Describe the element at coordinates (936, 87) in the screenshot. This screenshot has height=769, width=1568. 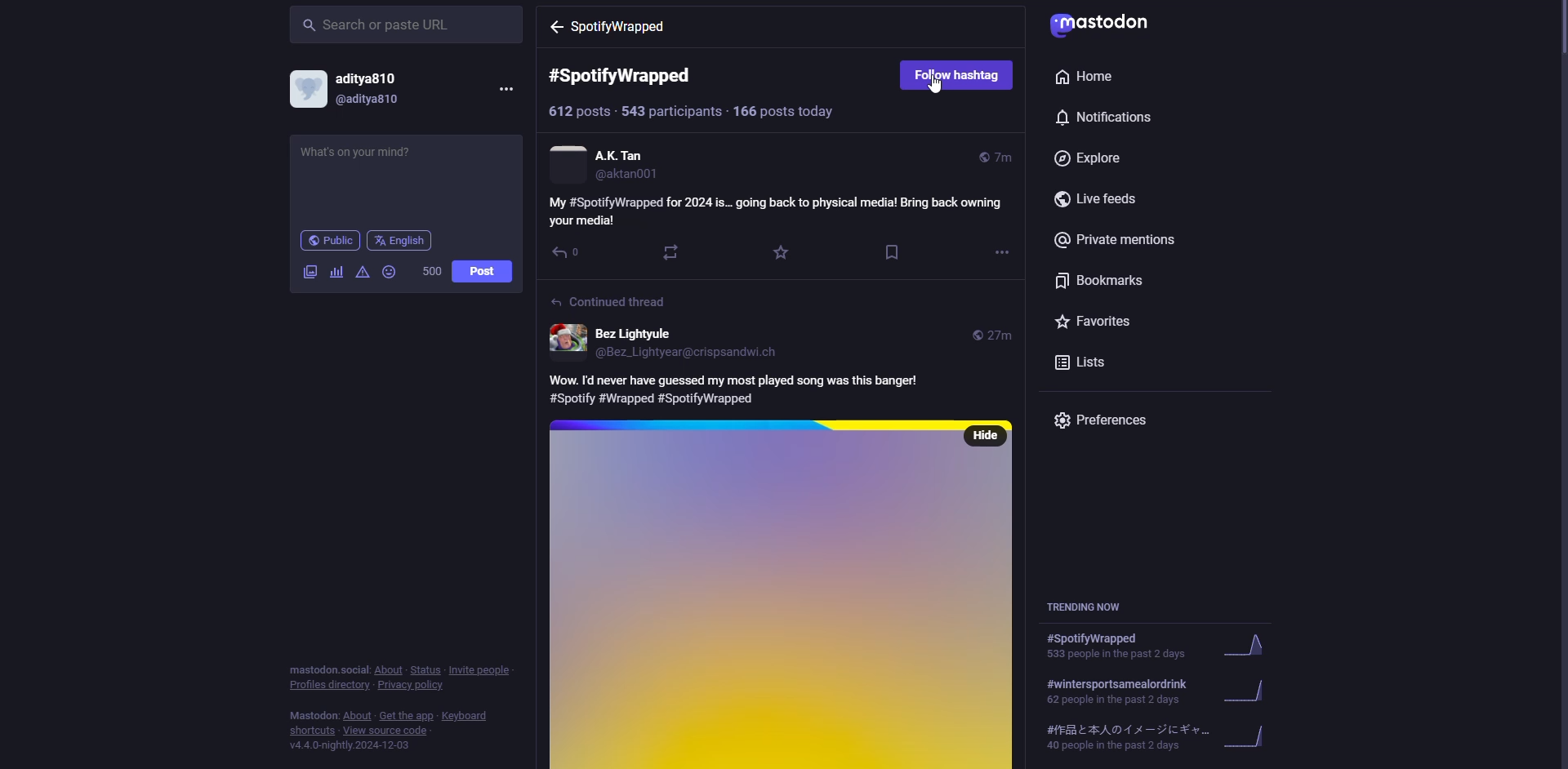
I see `cursor` at that location.